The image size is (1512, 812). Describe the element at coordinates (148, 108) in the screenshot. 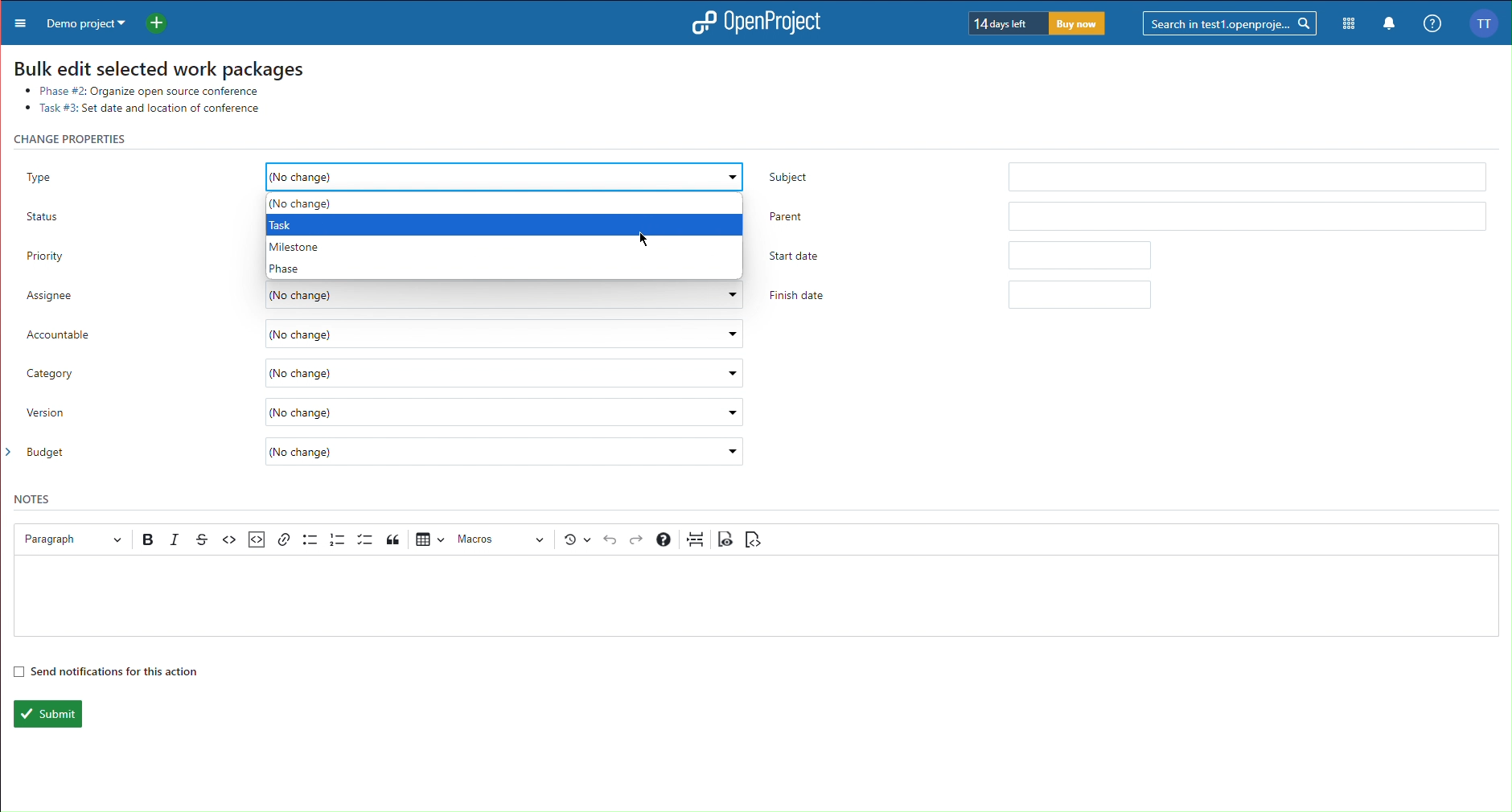

I see ` Task #3: Set date and location of conference` at that location.